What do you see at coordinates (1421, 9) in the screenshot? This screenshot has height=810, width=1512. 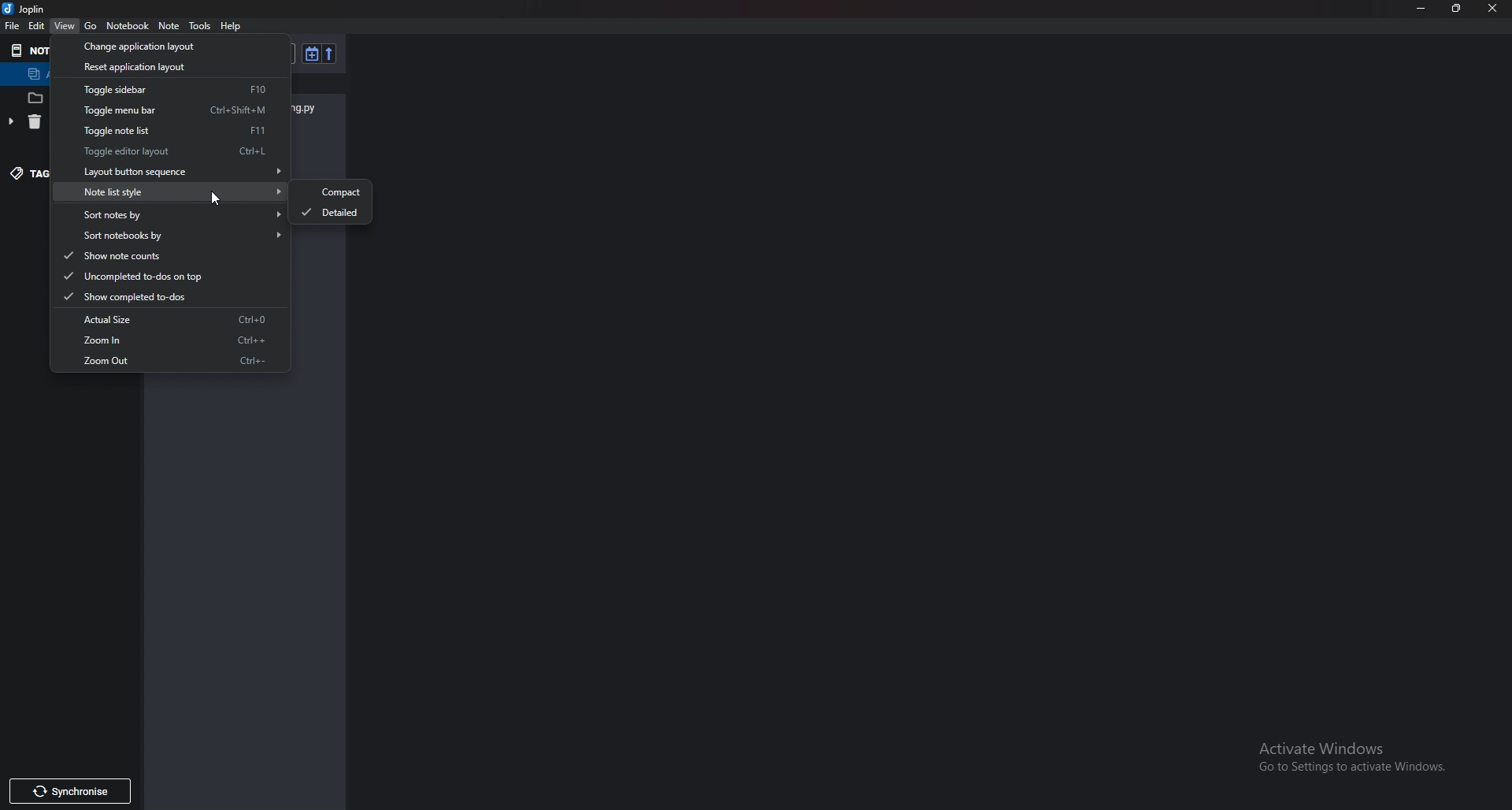 I see `Minimize` at bounding box center [1421, 9].